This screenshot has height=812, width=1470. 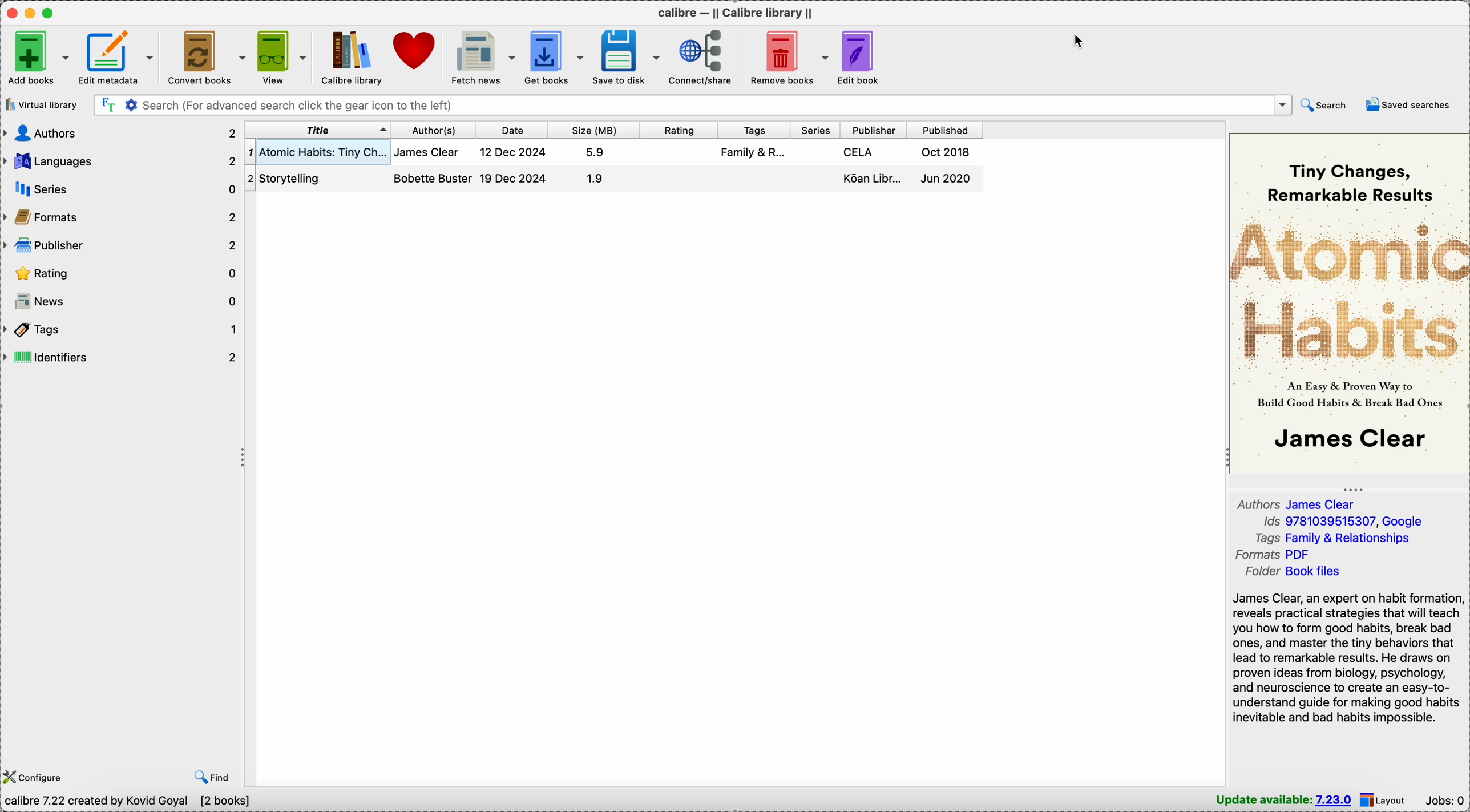 What do you see at coordinates (1297, 572) in the screenshot?
I see `folder: book files` at bounding box center [1297, 572].